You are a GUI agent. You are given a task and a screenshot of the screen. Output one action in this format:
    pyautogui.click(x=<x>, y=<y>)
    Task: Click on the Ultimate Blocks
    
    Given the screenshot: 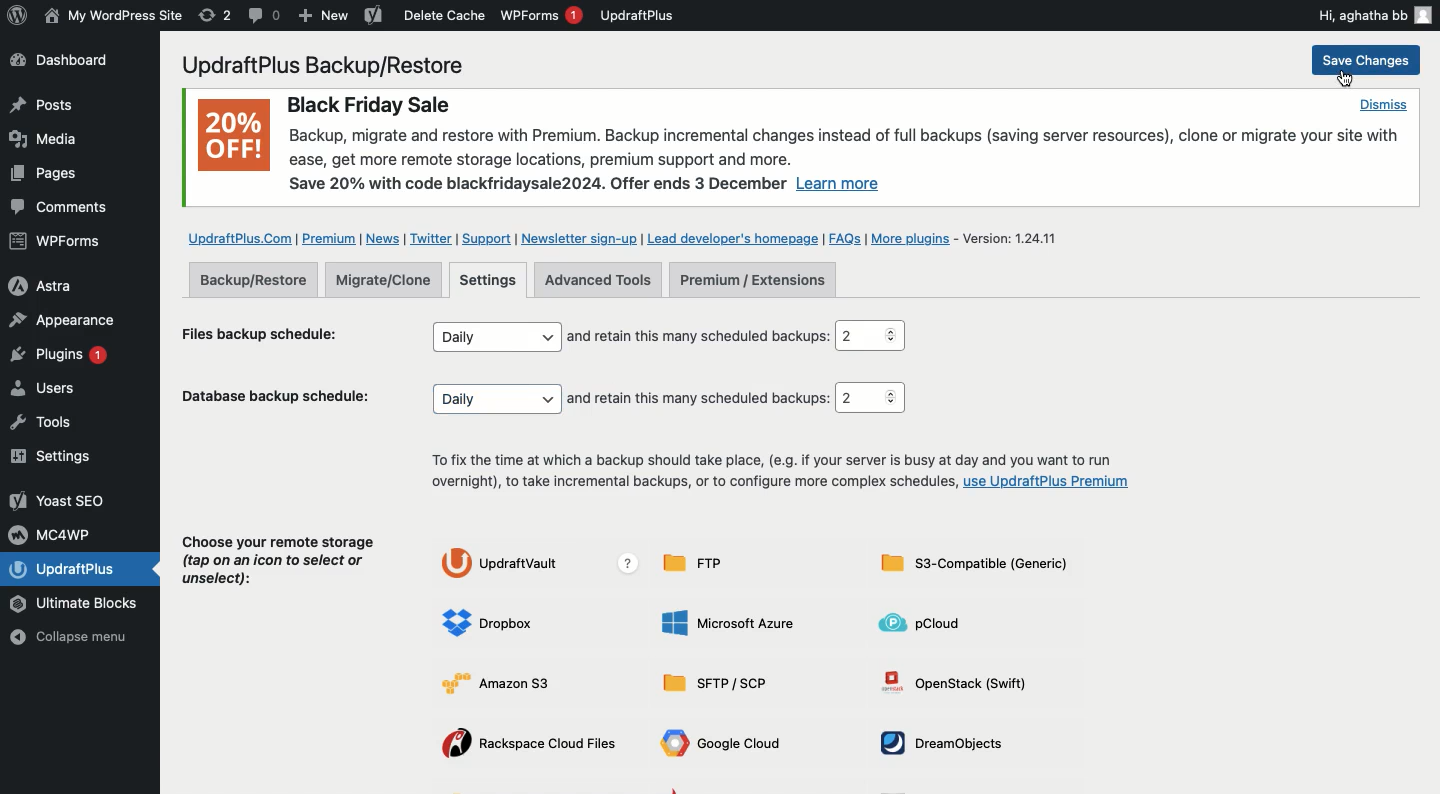 What is the action you would take?
    pyautogui.click(x=80, y=605)
    